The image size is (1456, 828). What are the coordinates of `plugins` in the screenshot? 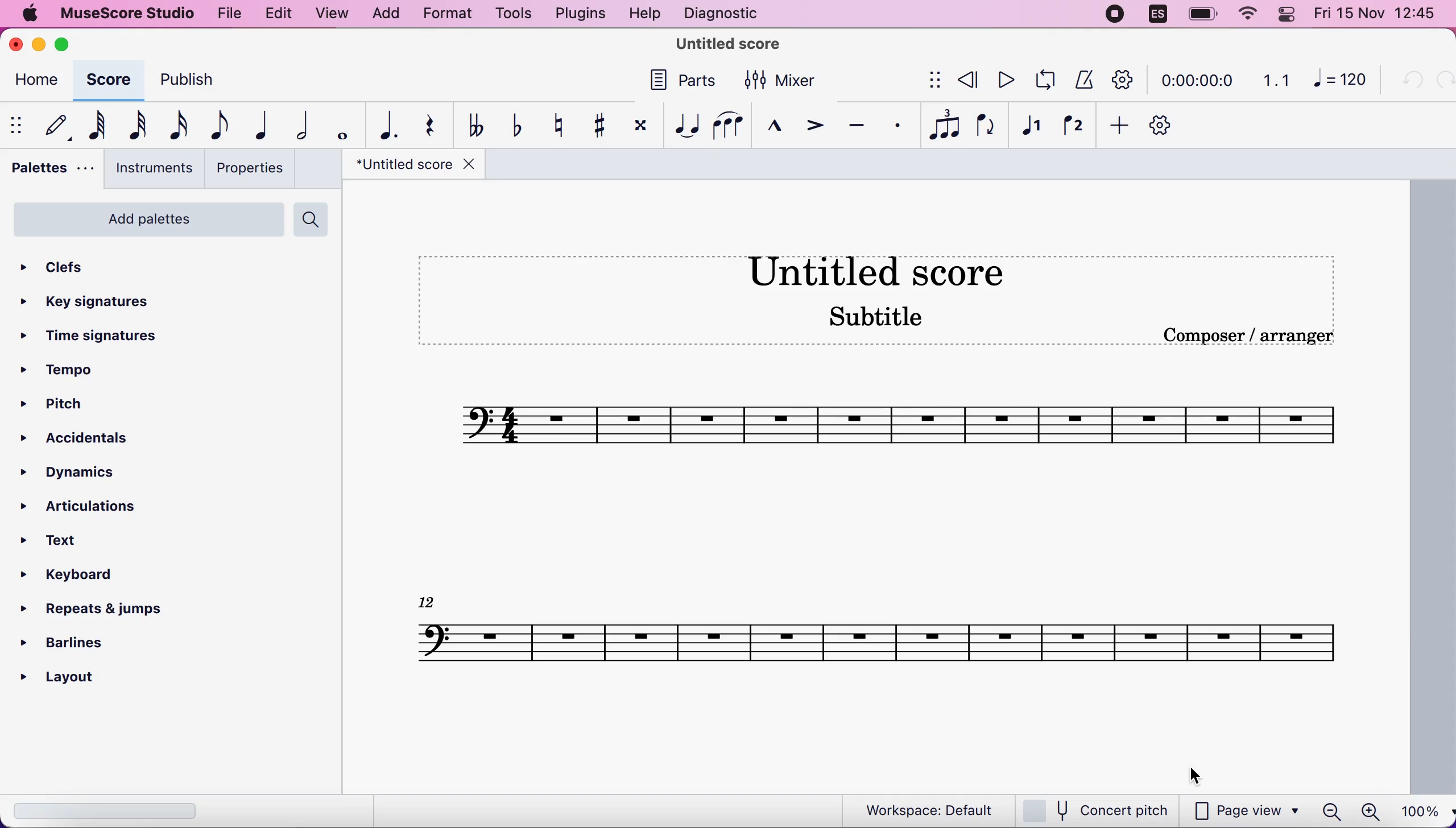 It's located at (579, 14).